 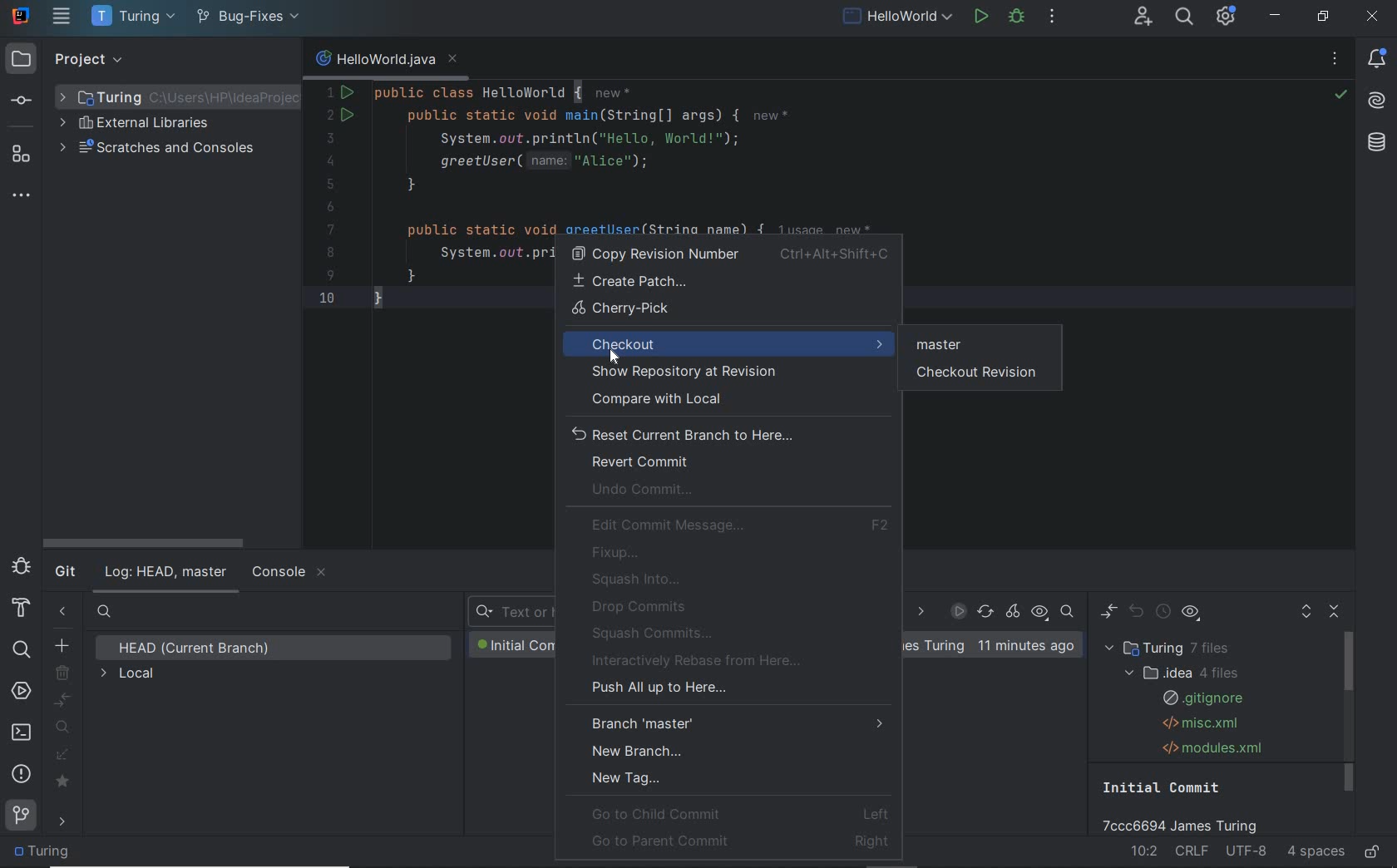 What do you see at coordinates (22, 819) in the screenshot?
I see `git` at bounding box center [22, 819].